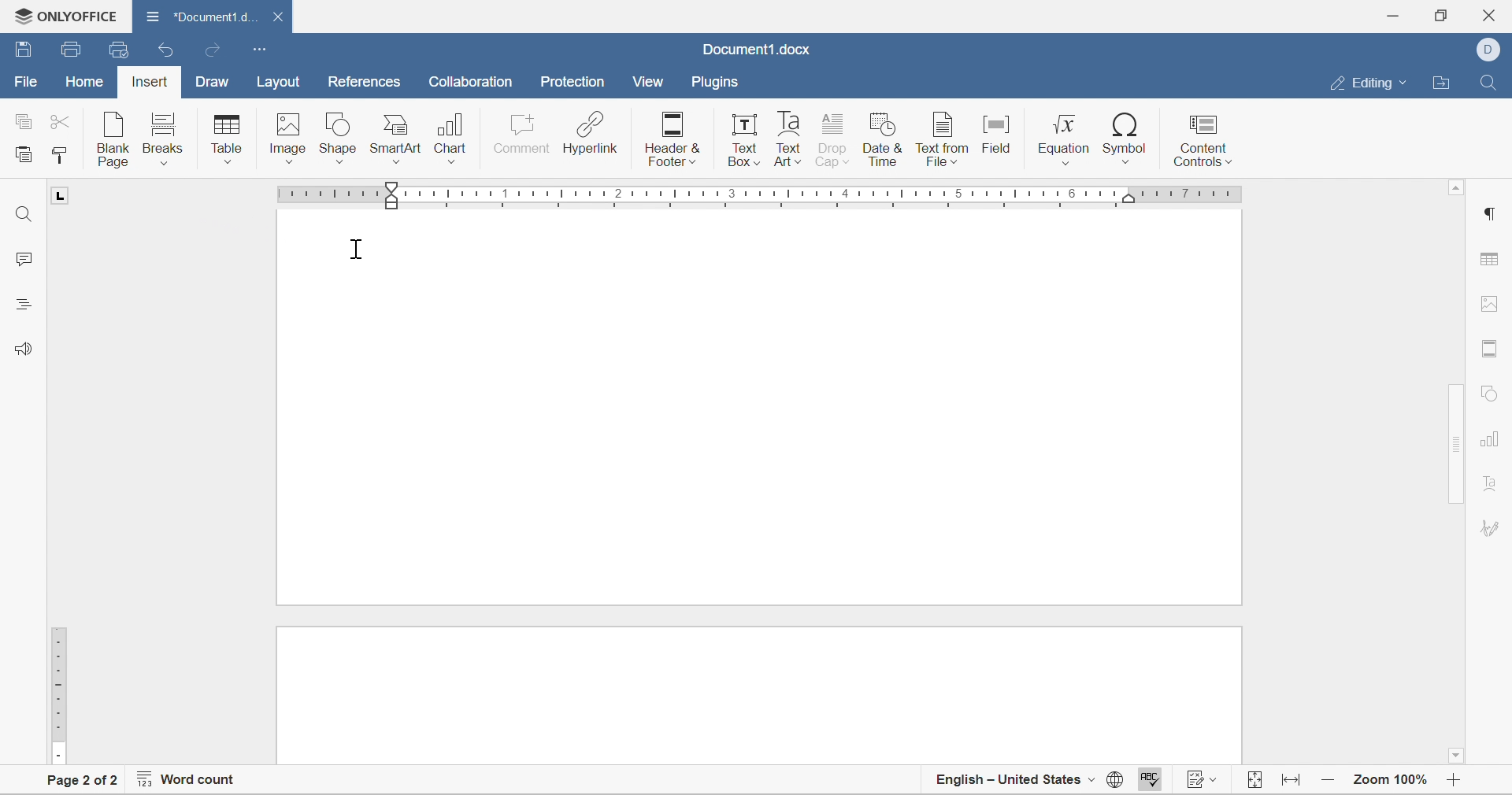  I want to click on Drop cap, so click(835, 142).